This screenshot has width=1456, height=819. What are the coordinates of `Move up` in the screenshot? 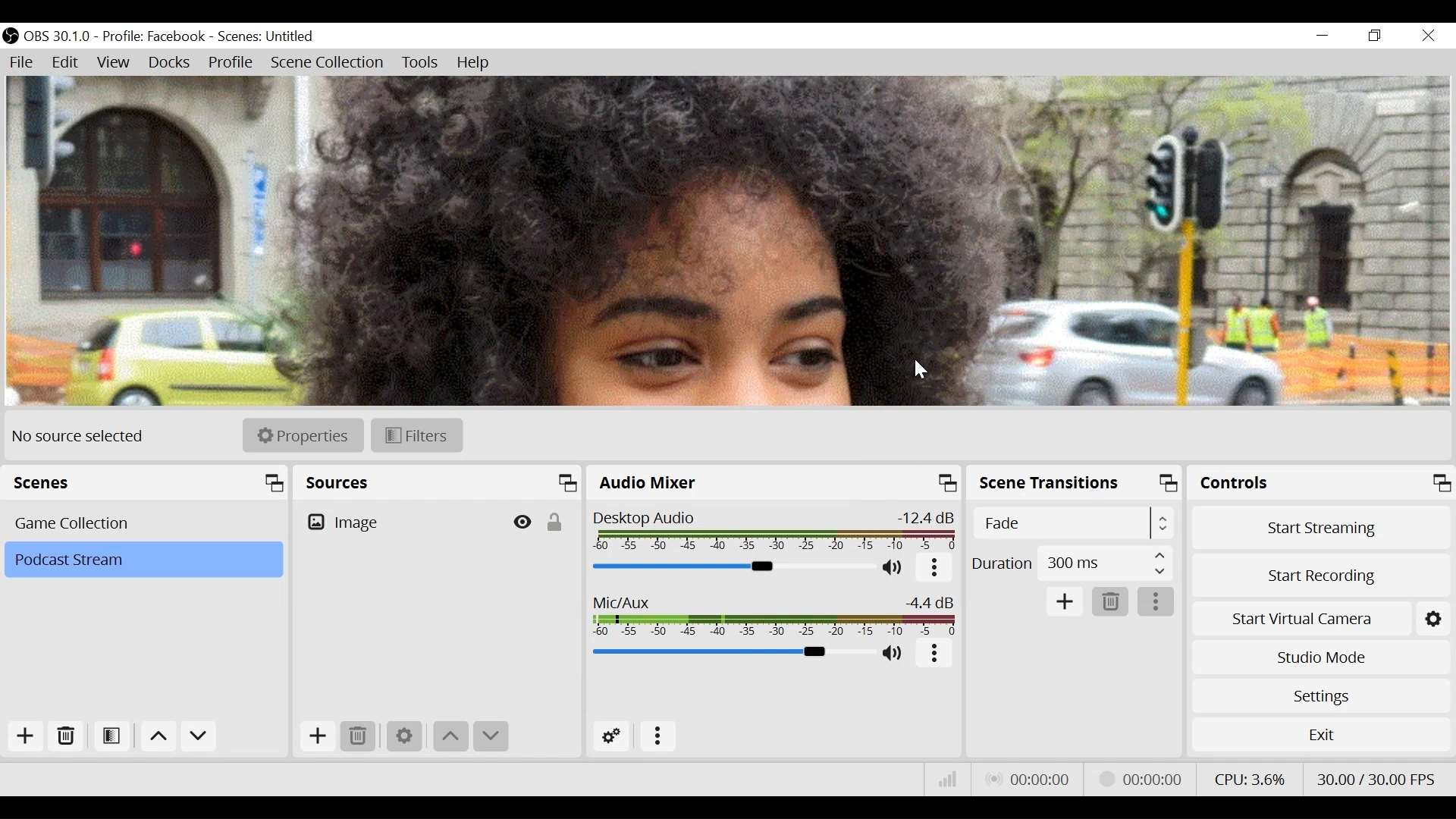 It's located at (158, 739).